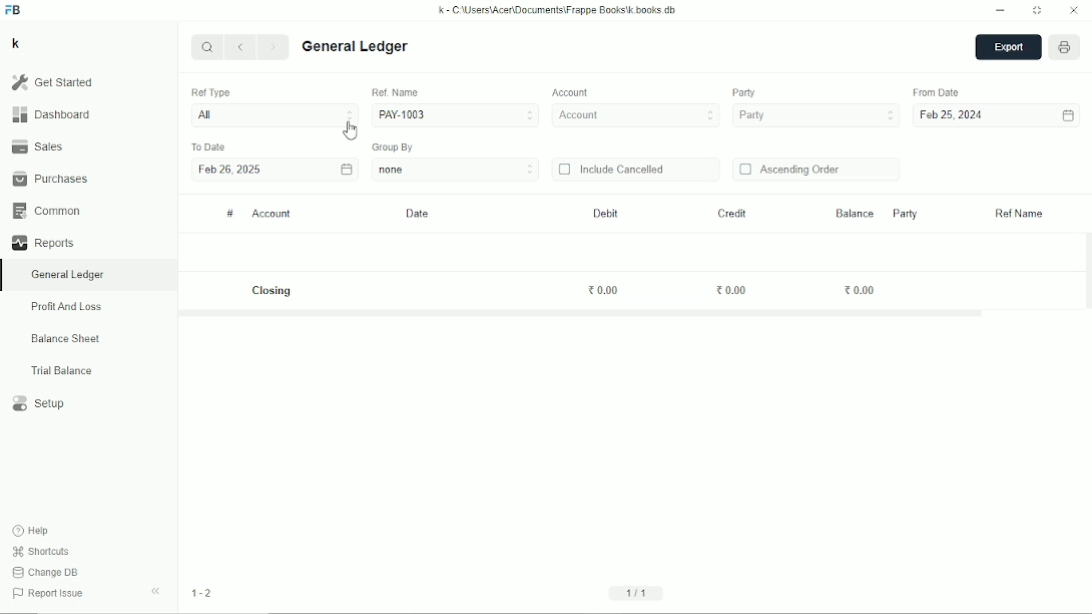 The image size is (1092, 614). What do you see at coordinates (582, 314) in the screenshot?
I see `Horizontal scrollbar` at bounding box center [582, 314].